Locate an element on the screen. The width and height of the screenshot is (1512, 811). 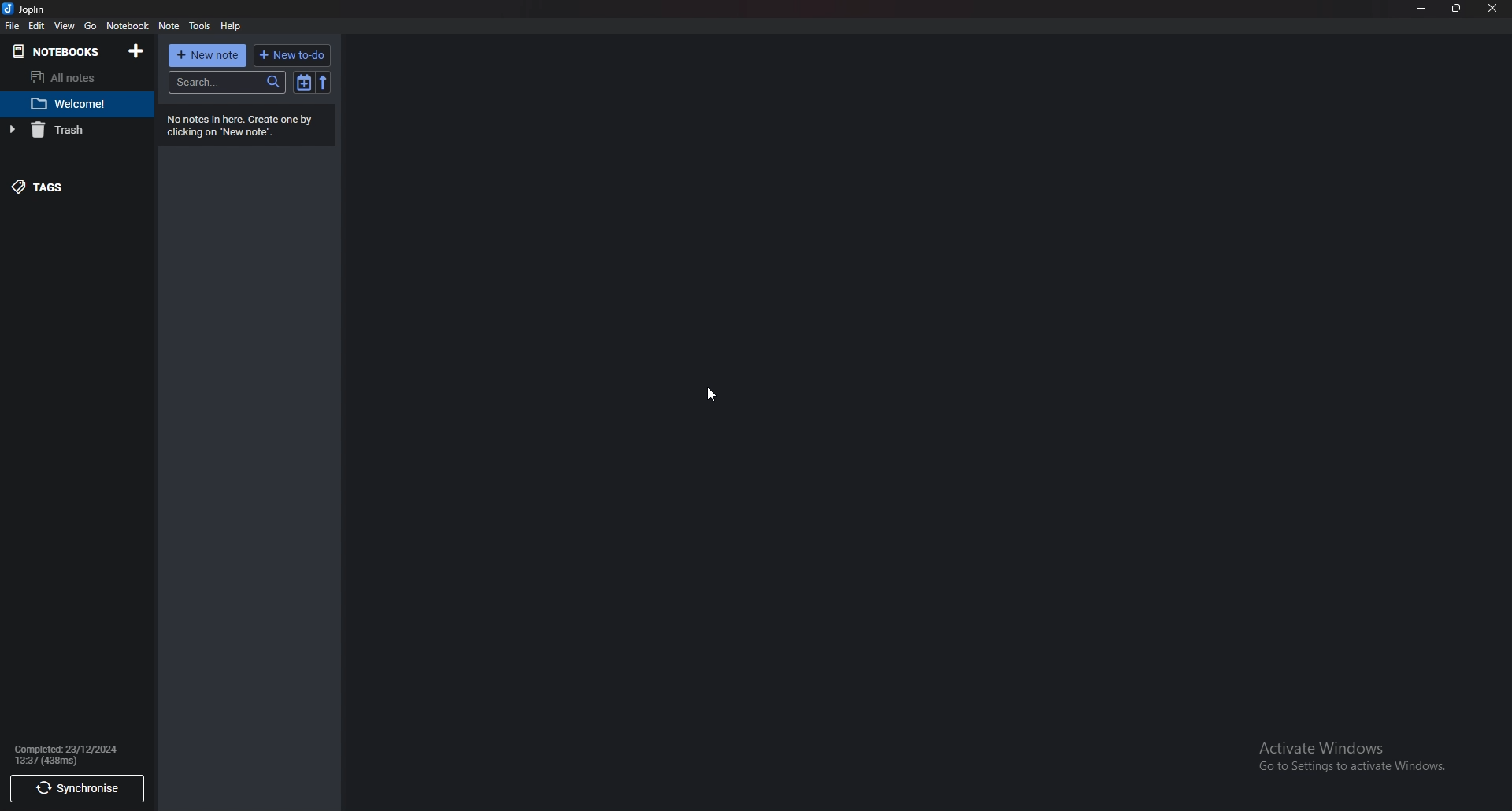
reverse short order is located at coordinates (324, 83).